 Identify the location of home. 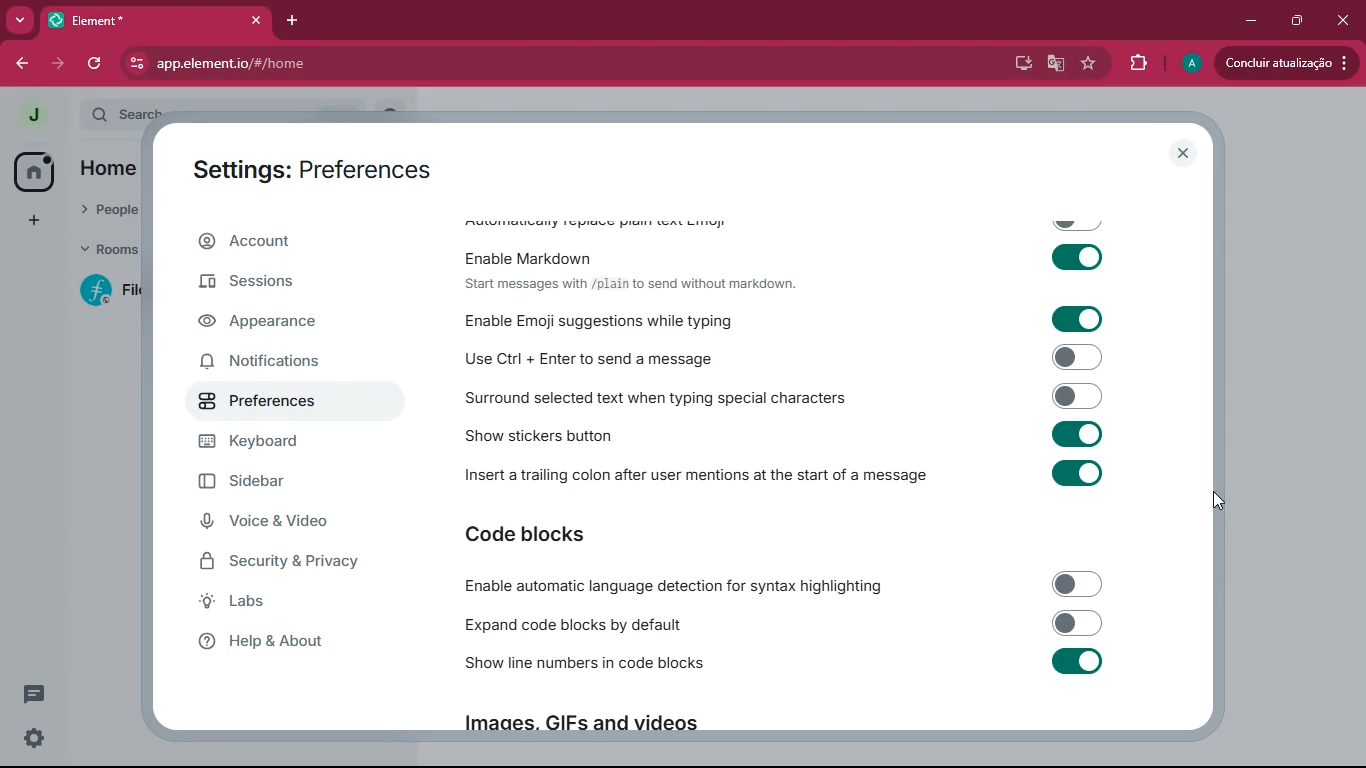
(33, 172).